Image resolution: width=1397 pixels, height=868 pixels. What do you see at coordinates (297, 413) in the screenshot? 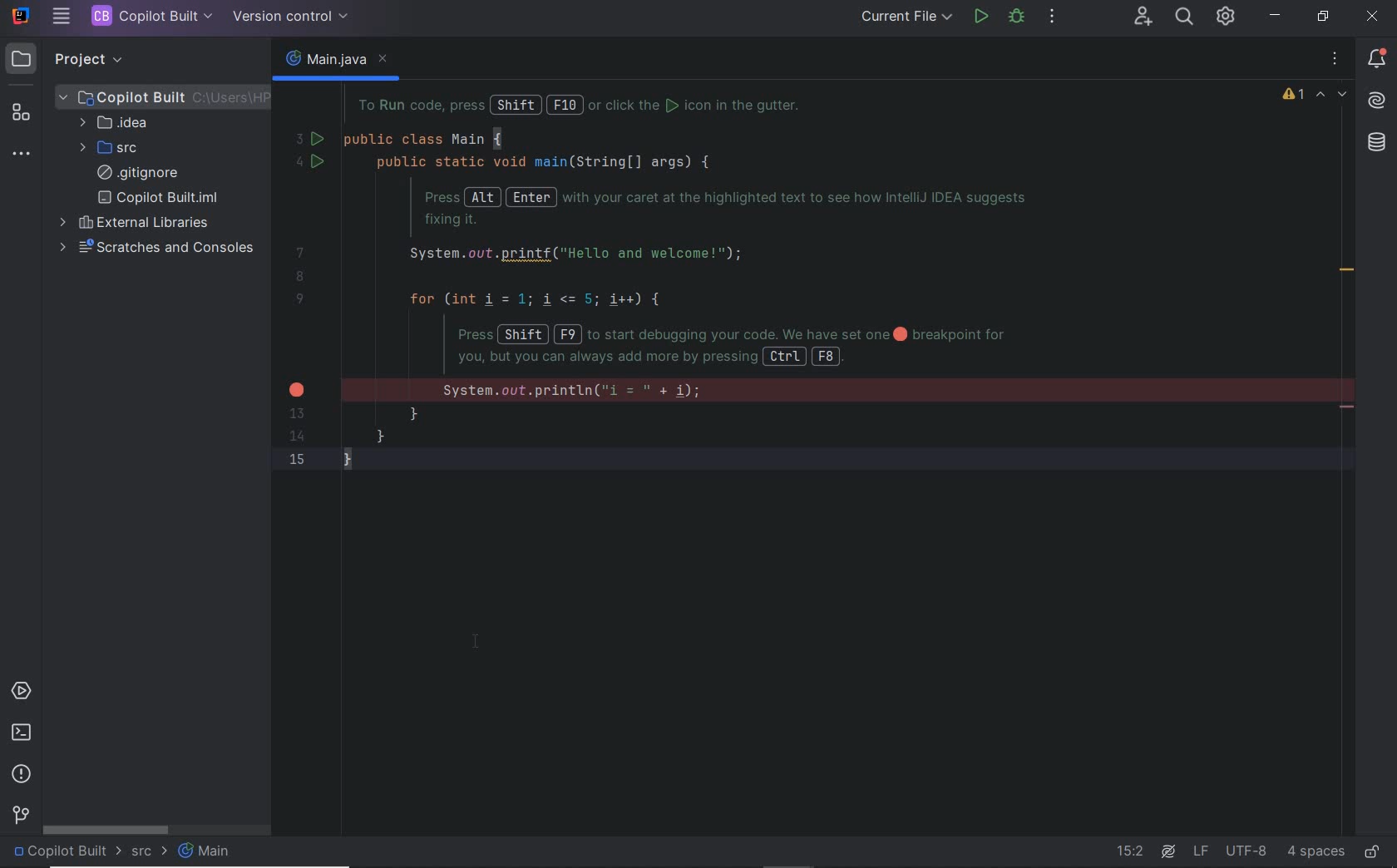
I see `13` at bounding box center [297, 413].